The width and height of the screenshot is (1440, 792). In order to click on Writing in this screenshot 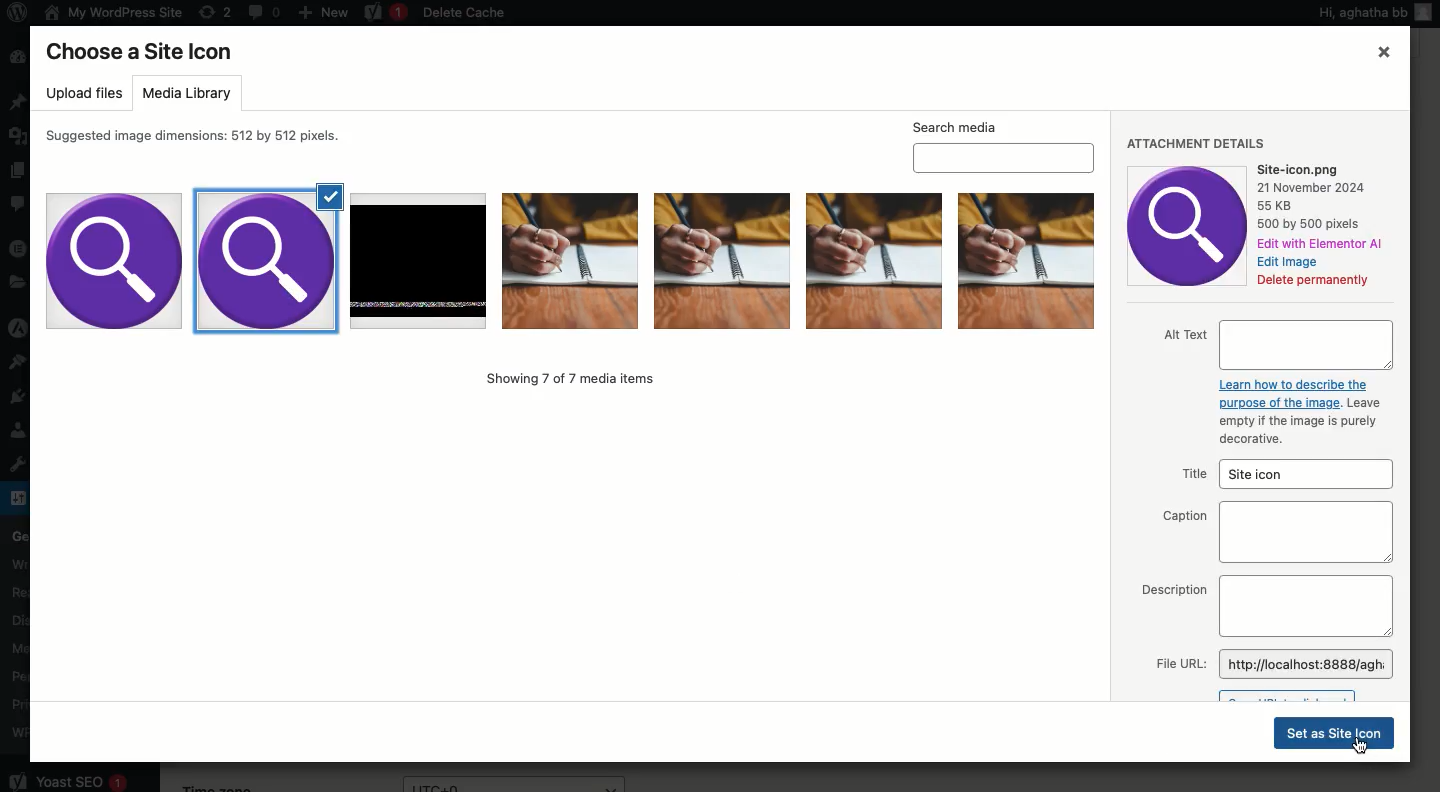, I will do `click(19, 562)`.